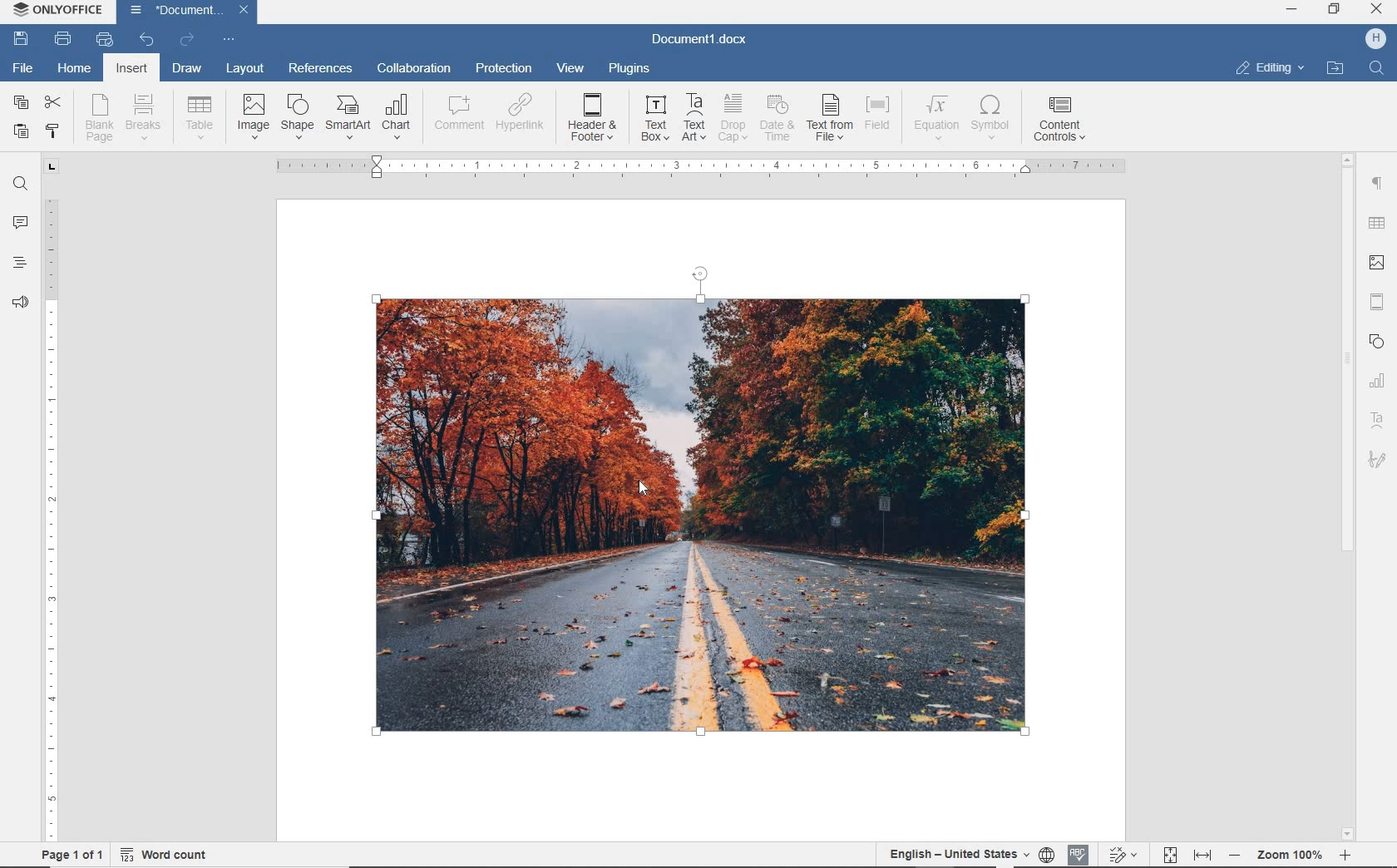 The width and height of the screenshot is (1397, 868). Describe the element at coordinates (19, 104) in the screenshot. I see `copy` at that location.